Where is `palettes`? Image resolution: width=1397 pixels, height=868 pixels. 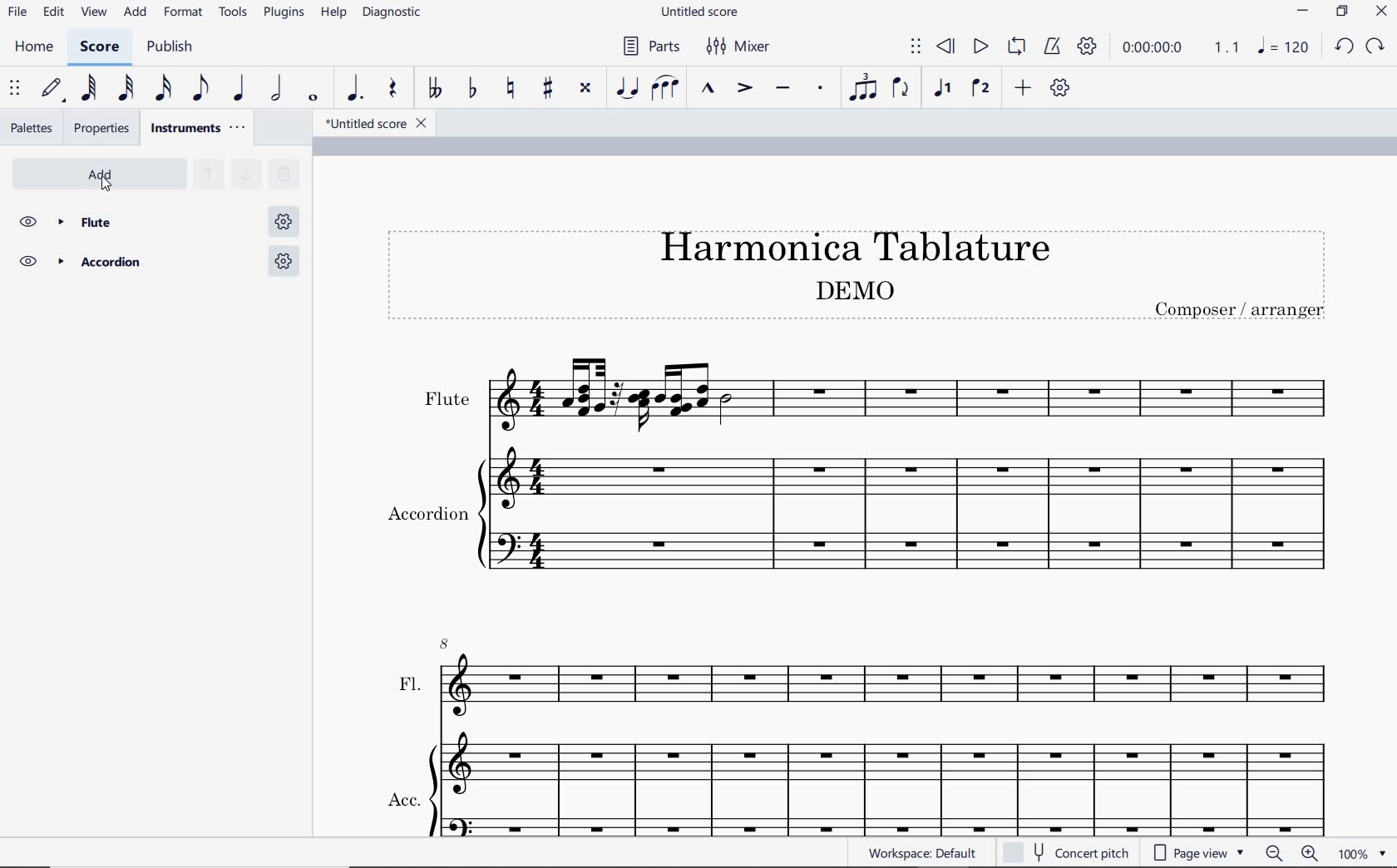
palettes is located at coordinates (32, 128).